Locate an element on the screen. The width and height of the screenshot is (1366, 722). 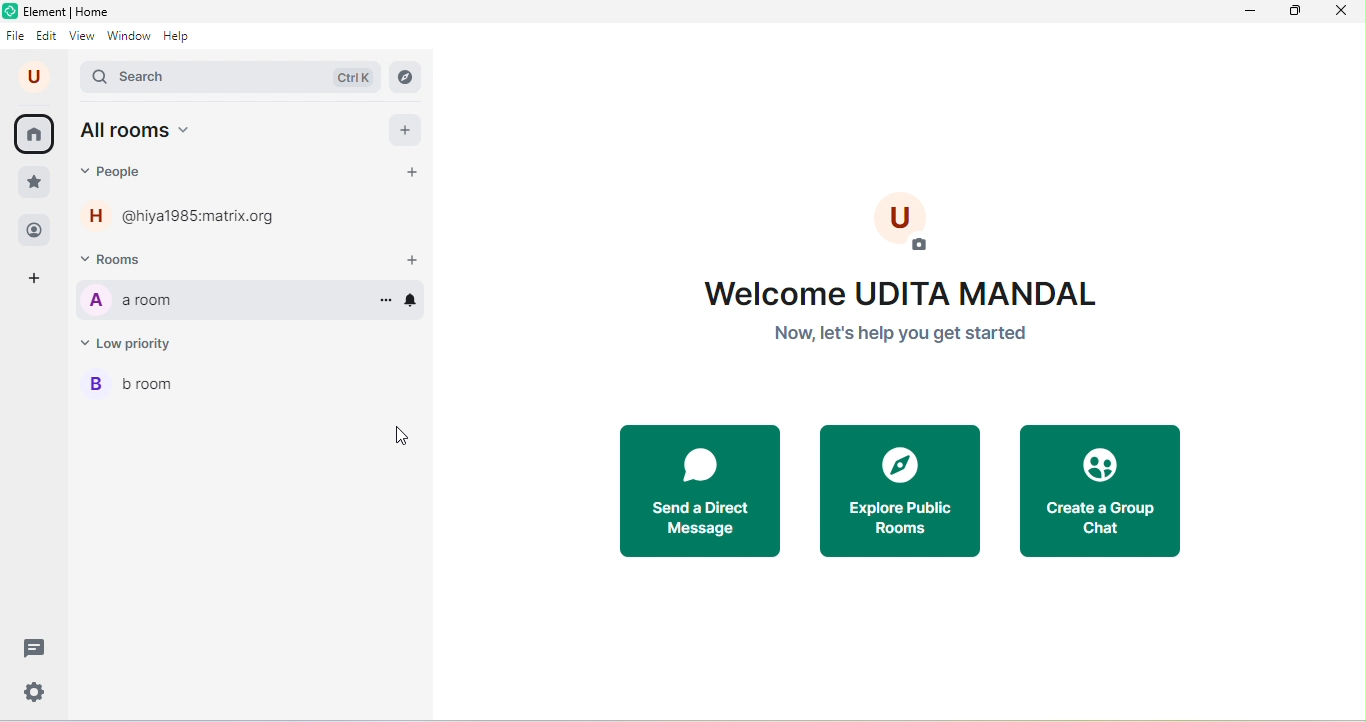
element home is located at coordinates (73, 11).